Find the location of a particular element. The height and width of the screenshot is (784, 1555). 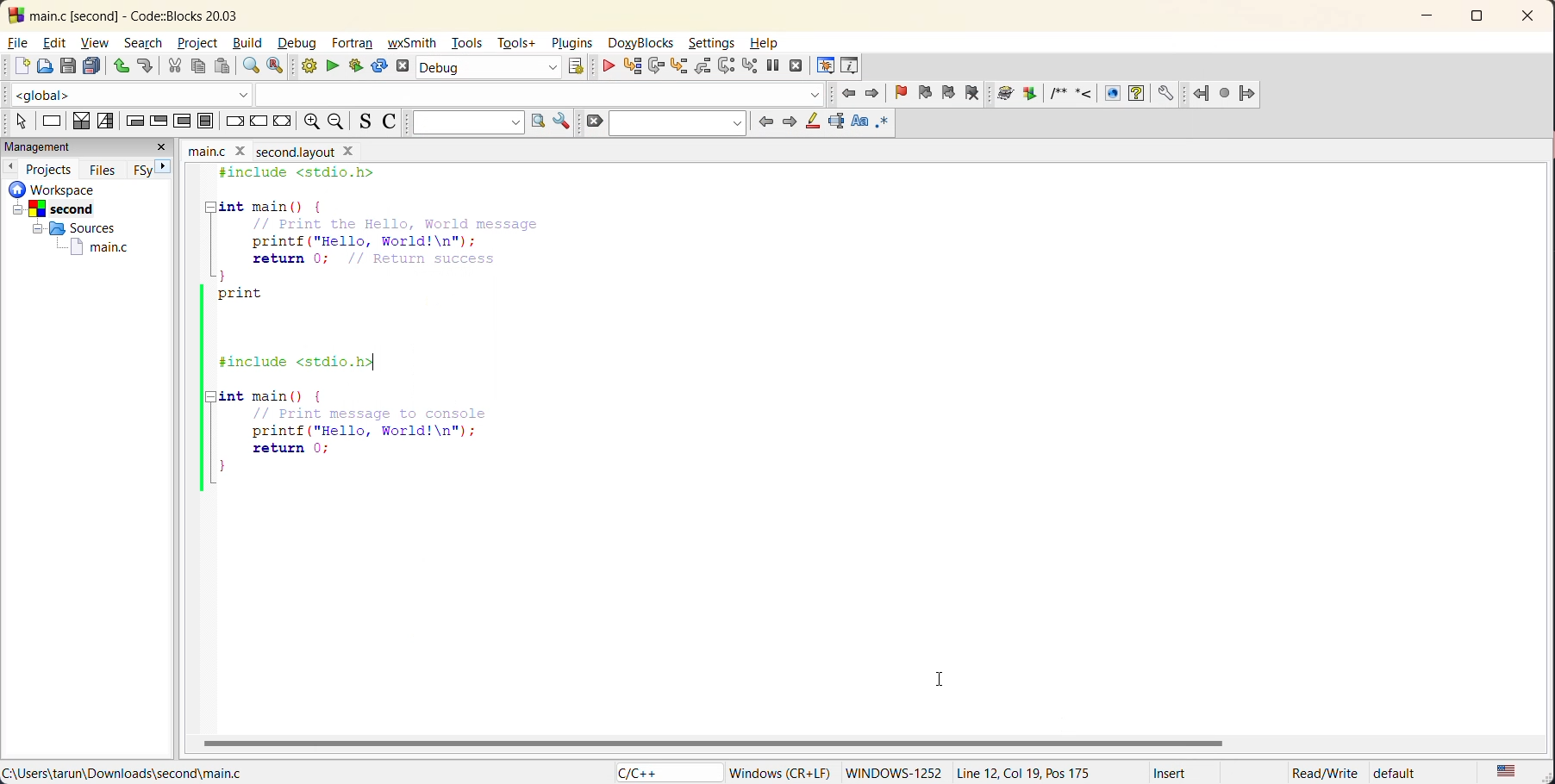

doxyblocks references is located at coordinates (1086, 93).